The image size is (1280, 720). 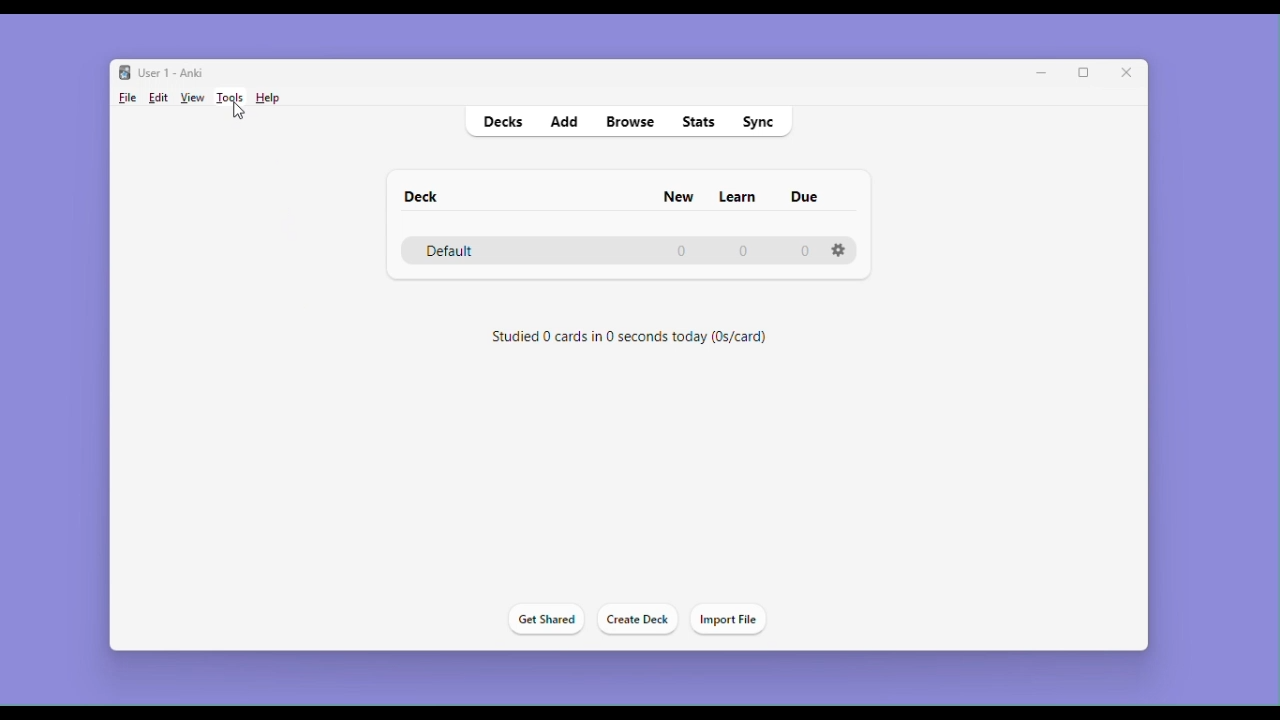 I want to click on Minimize, so click(x=1044, y=72).